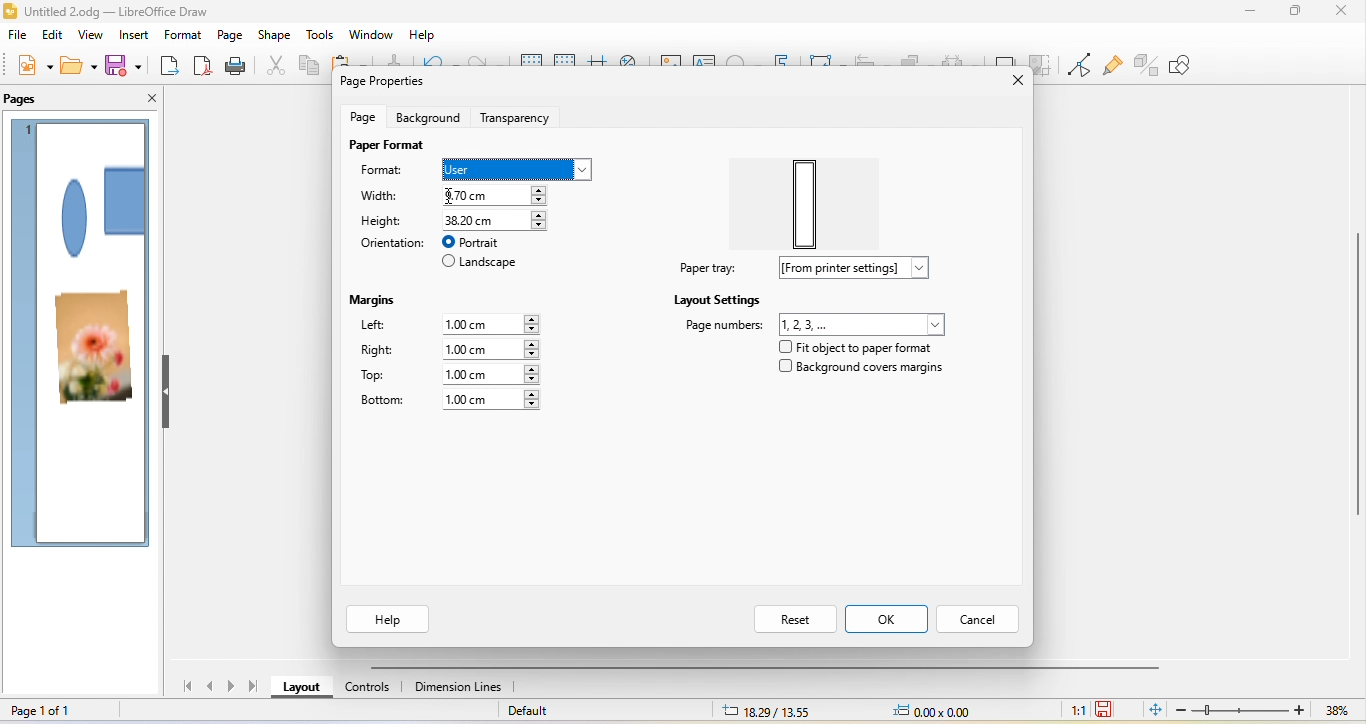 The height and width of the screenshot is (724, 1366). What do you see at coordinates (598, 62) in the screenshot?
I see `helpline while moving` at bounding box center [598, 62].